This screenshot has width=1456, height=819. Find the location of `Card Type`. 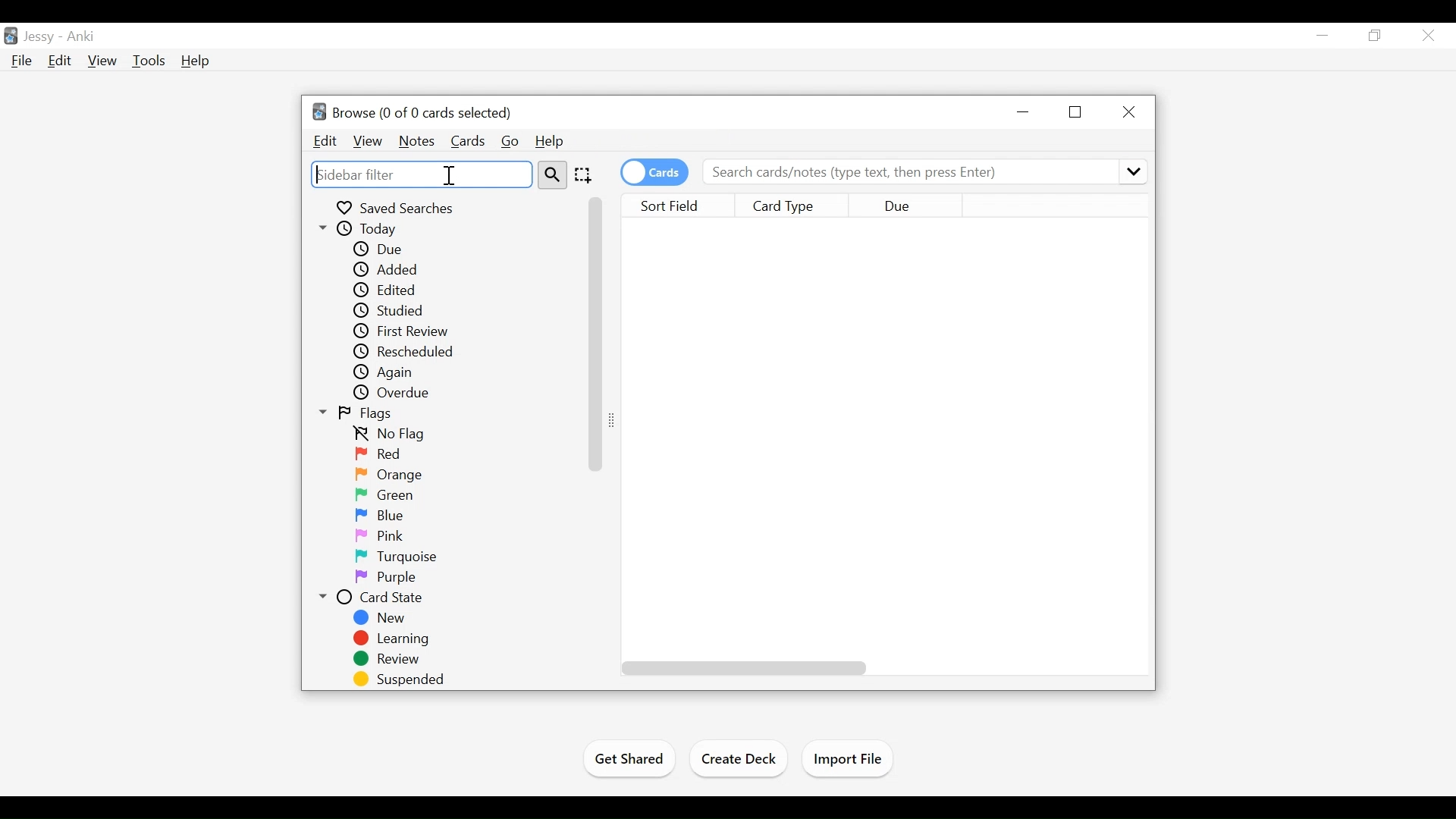

Card Type is located at coordinates (795, 206).